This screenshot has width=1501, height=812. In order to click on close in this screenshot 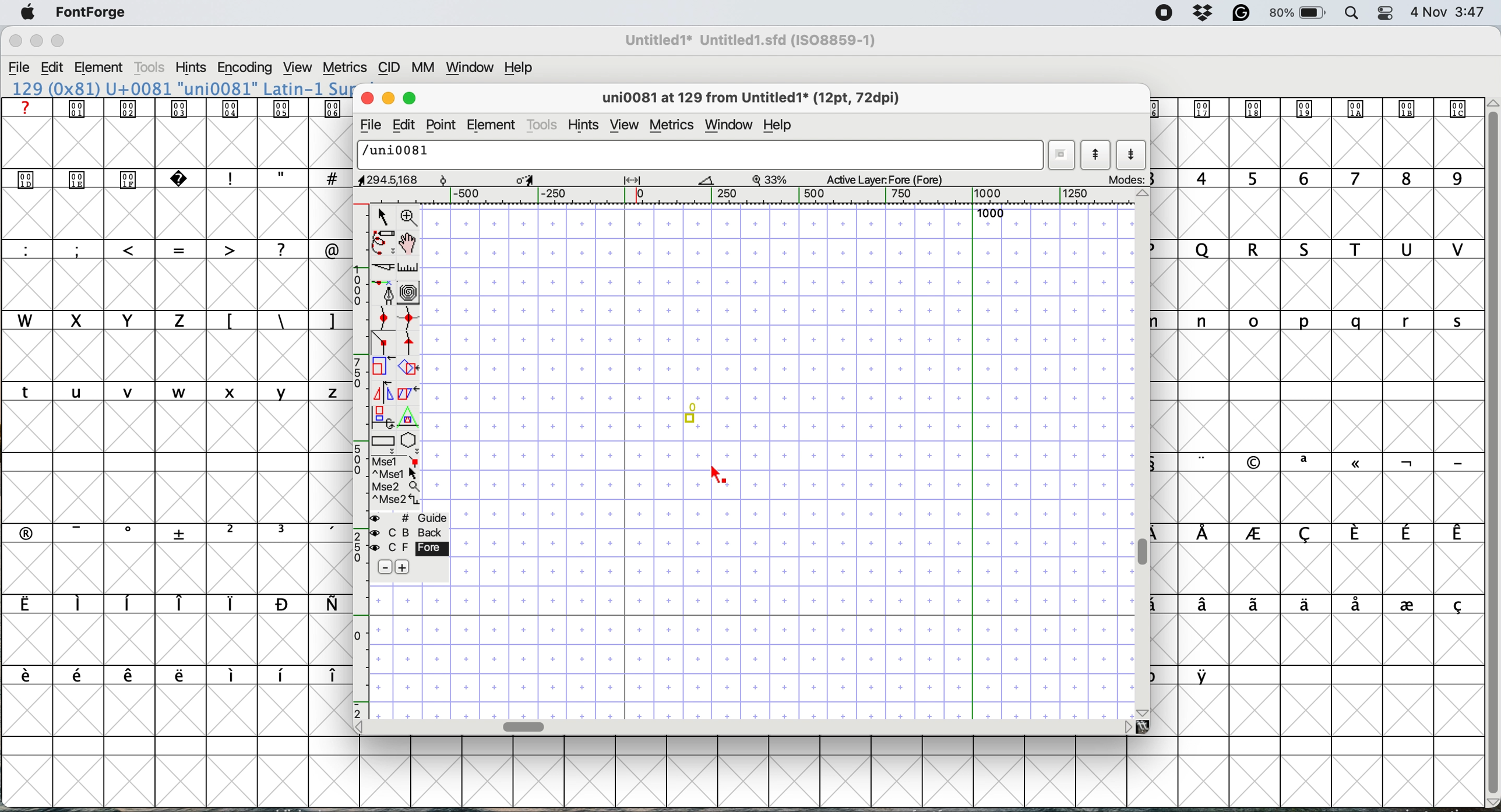, I will do `click(369, 100)`.